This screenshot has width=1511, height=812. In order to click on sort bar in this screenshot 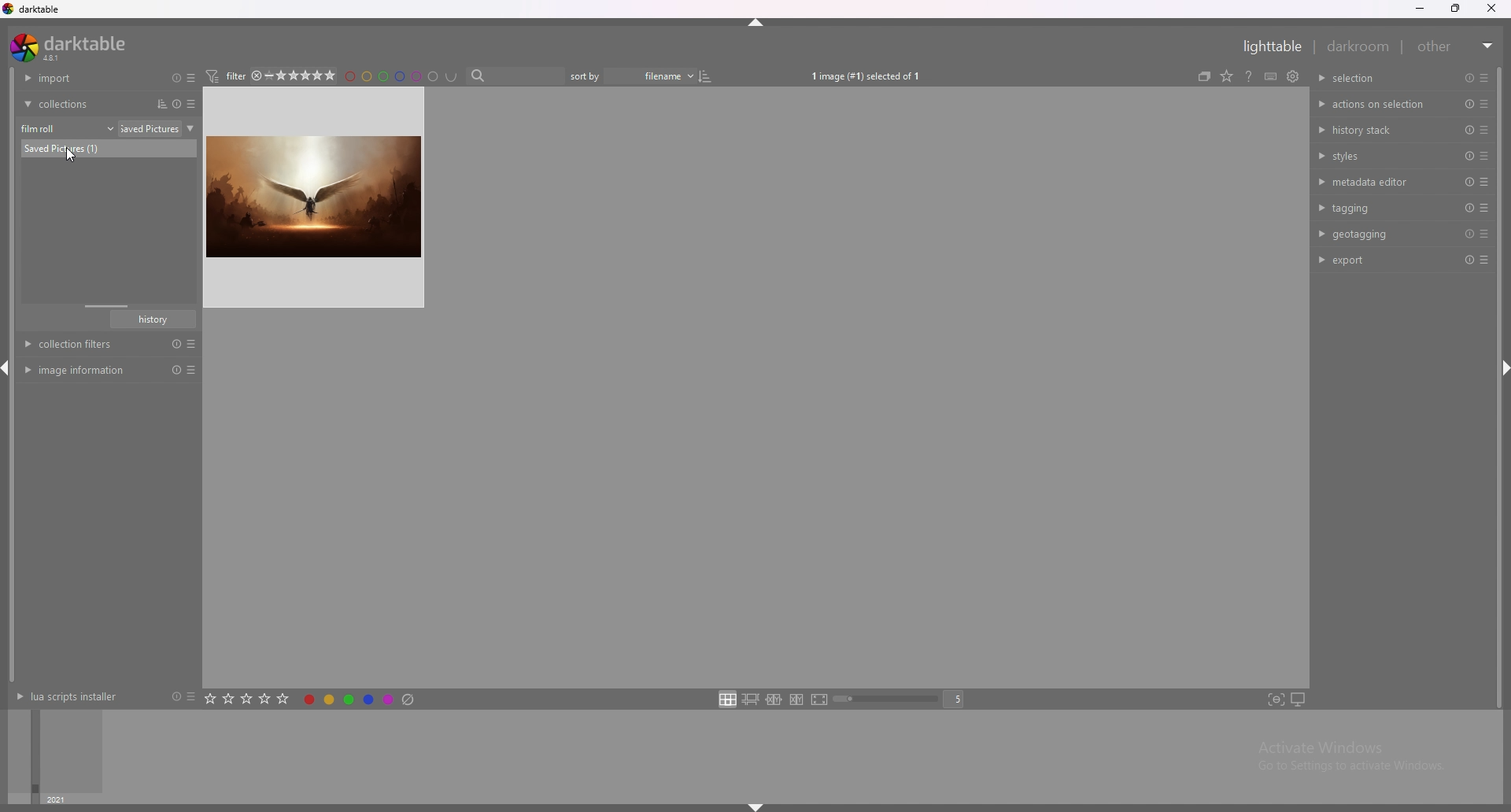, I will do `click(590, 76)`.